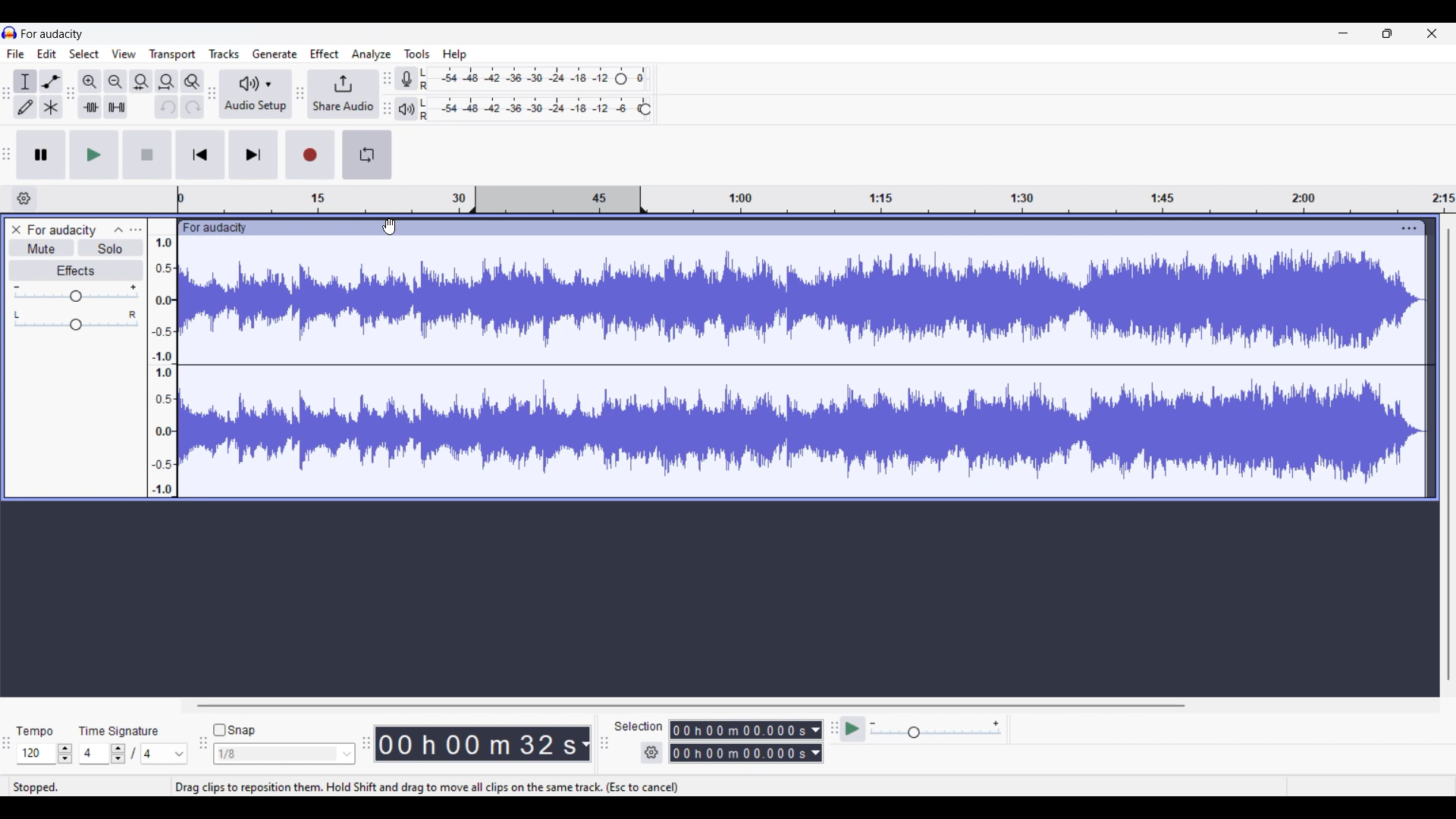 The width and height of the screenshot is (1456, 819). I want to click on Show in smaller tab, so click(1387, 33).